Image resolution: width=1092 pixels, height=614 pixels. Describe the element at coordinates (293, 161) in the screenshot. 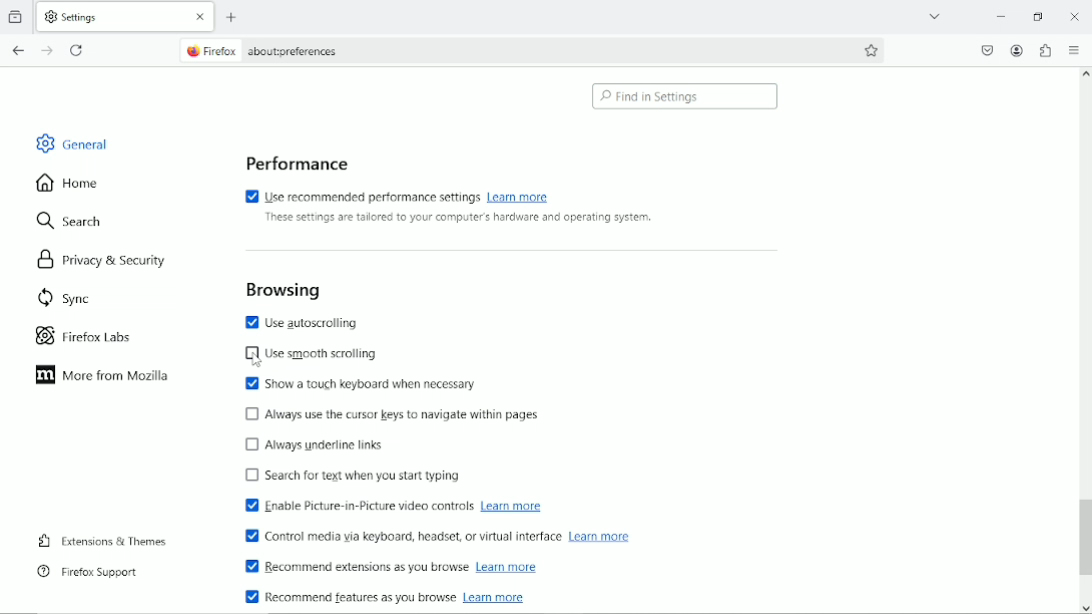

I see `Performance` at that location.